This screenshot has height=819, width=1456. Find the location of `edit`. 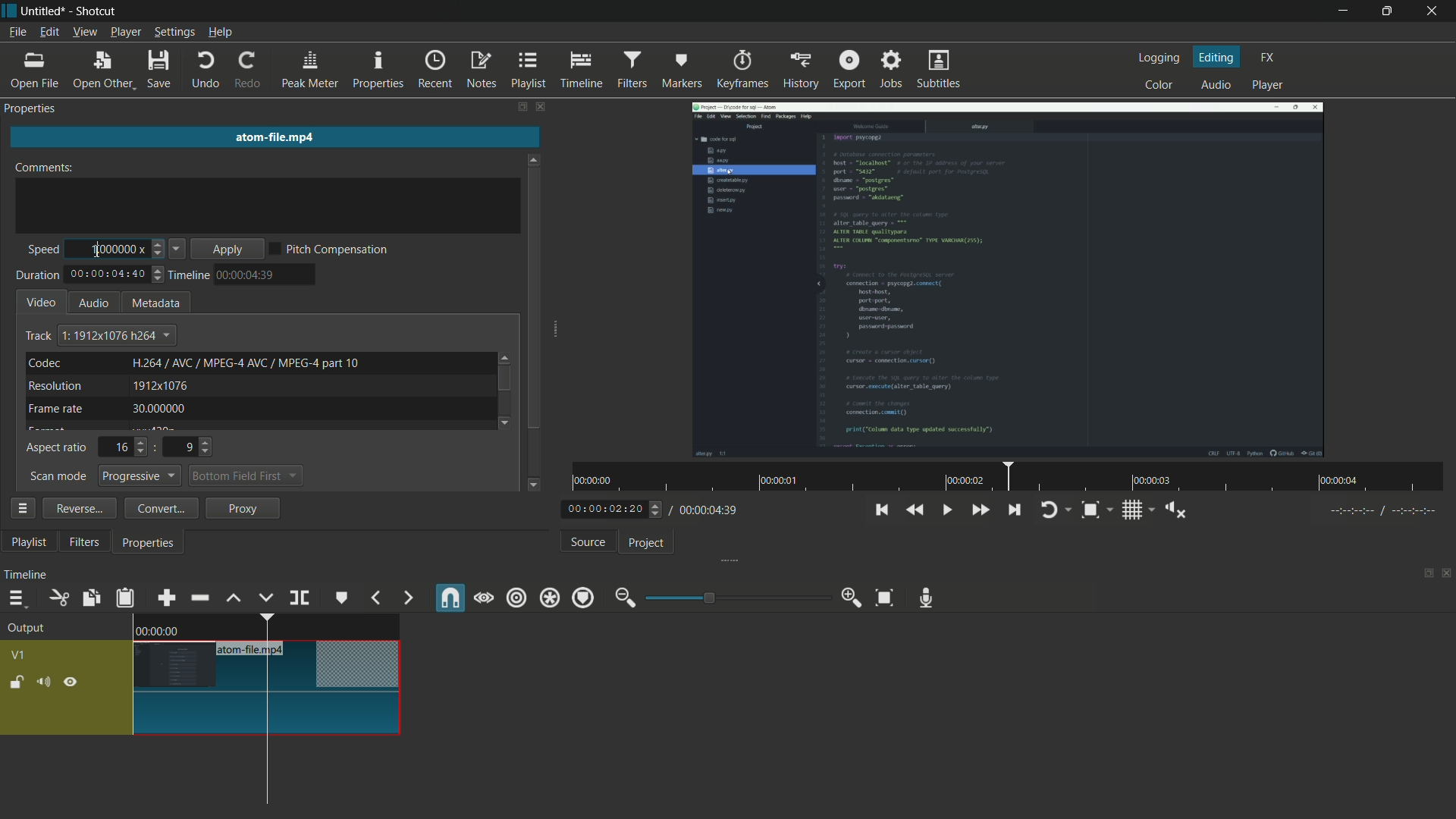

edit is located at coordinates (49, 33).